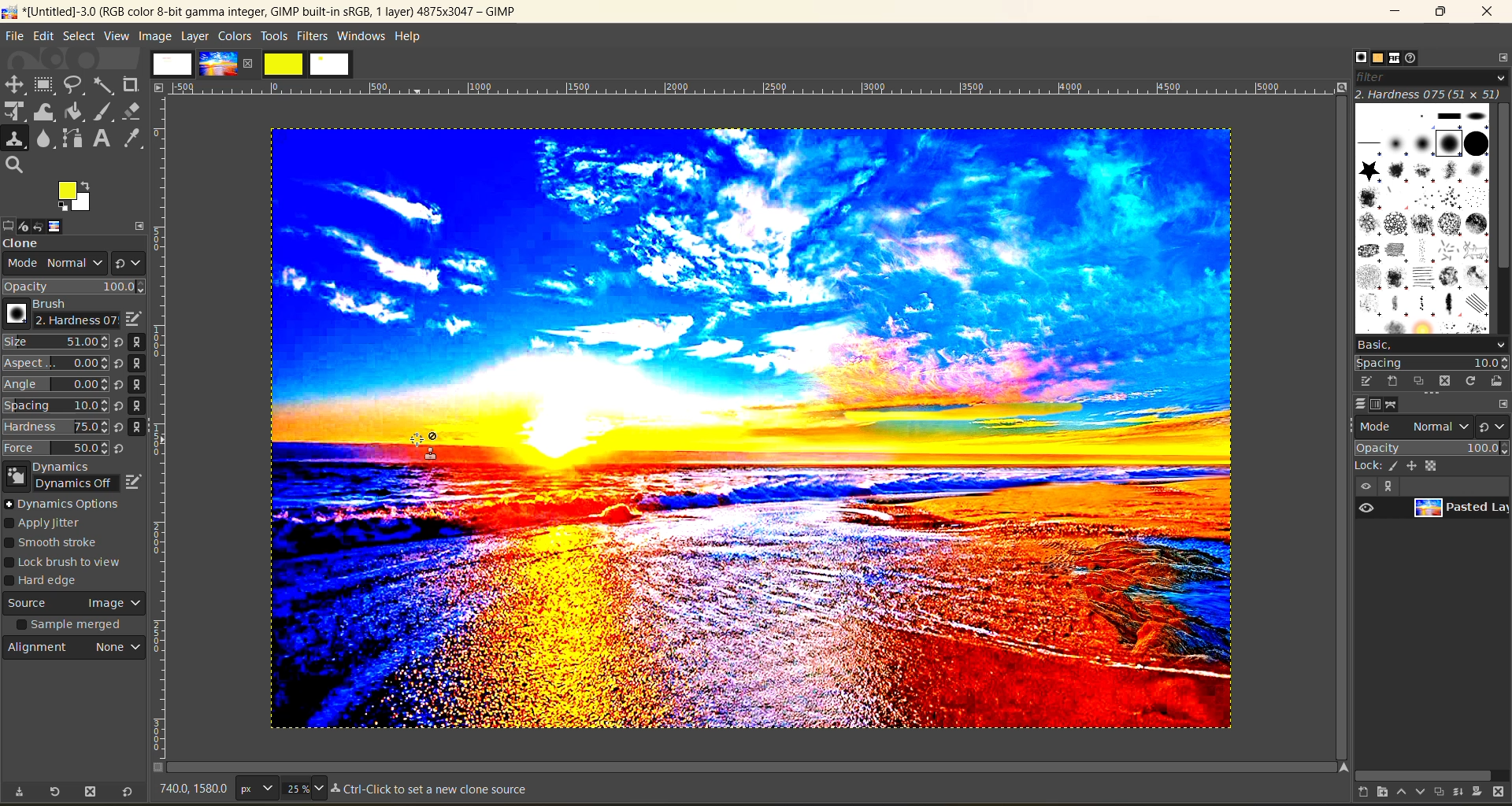 This screenshot has width=1512, height=806. What do you see at coordinates (1499, 57) in the screenshot?
I see `configure` at bounding box center [1499, 57].